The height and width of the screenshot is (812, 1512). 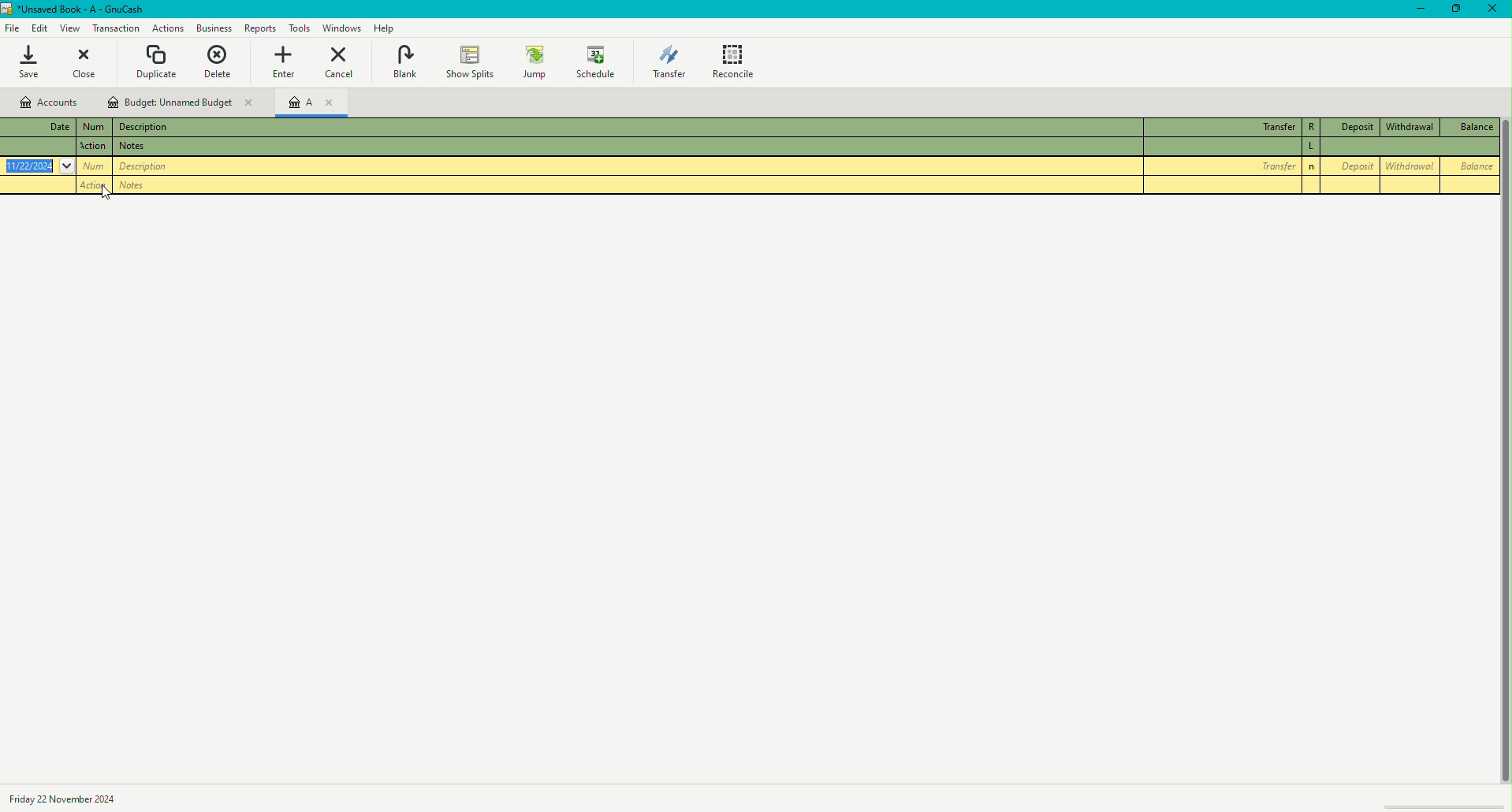 What do you see at coordinates (309, 106) in the screenshot?
I see `Account A` at bounding box center [309, 106].